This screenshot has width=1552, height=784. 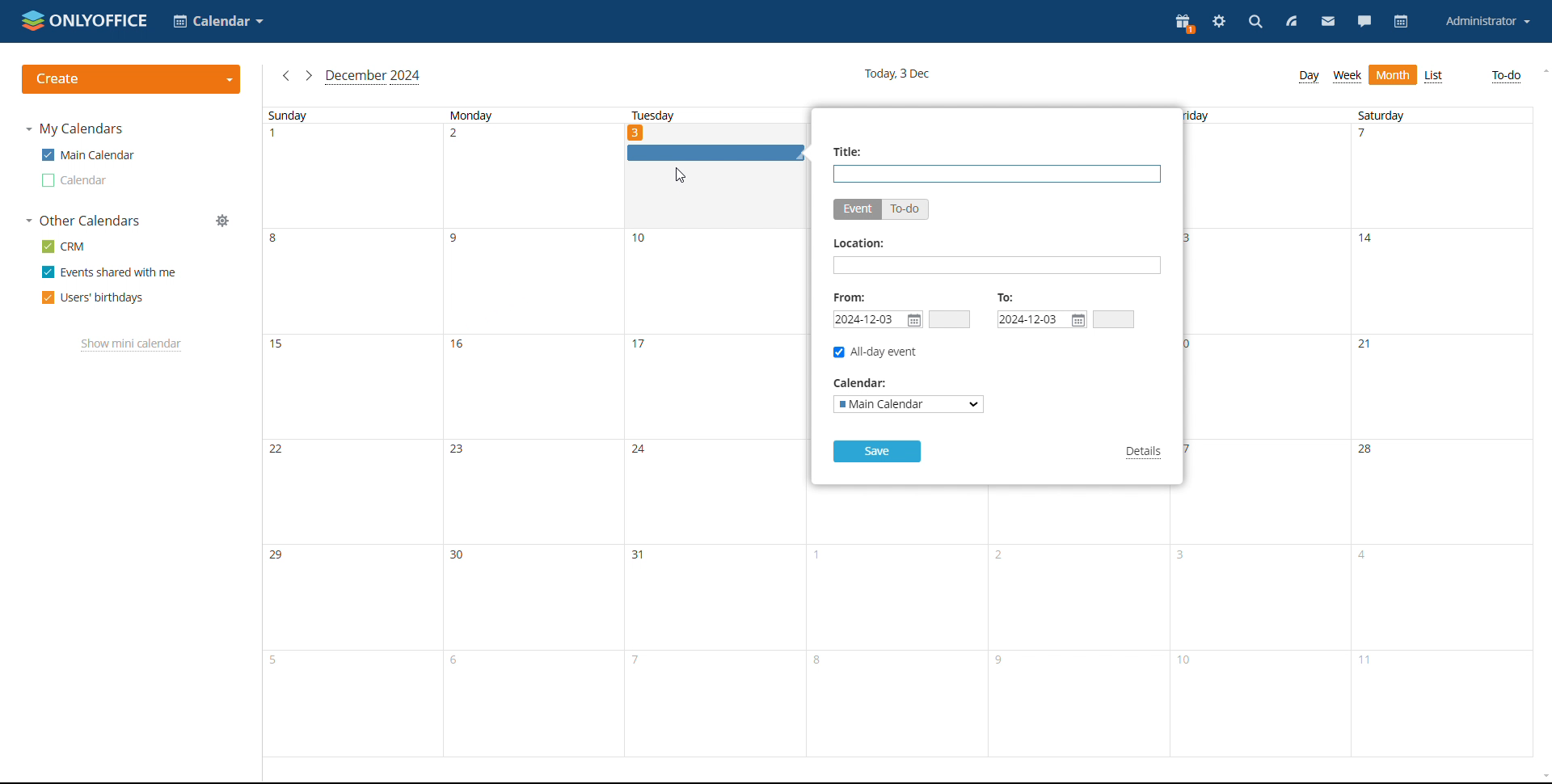 I want to click on account, so click(x=1489, y=22).